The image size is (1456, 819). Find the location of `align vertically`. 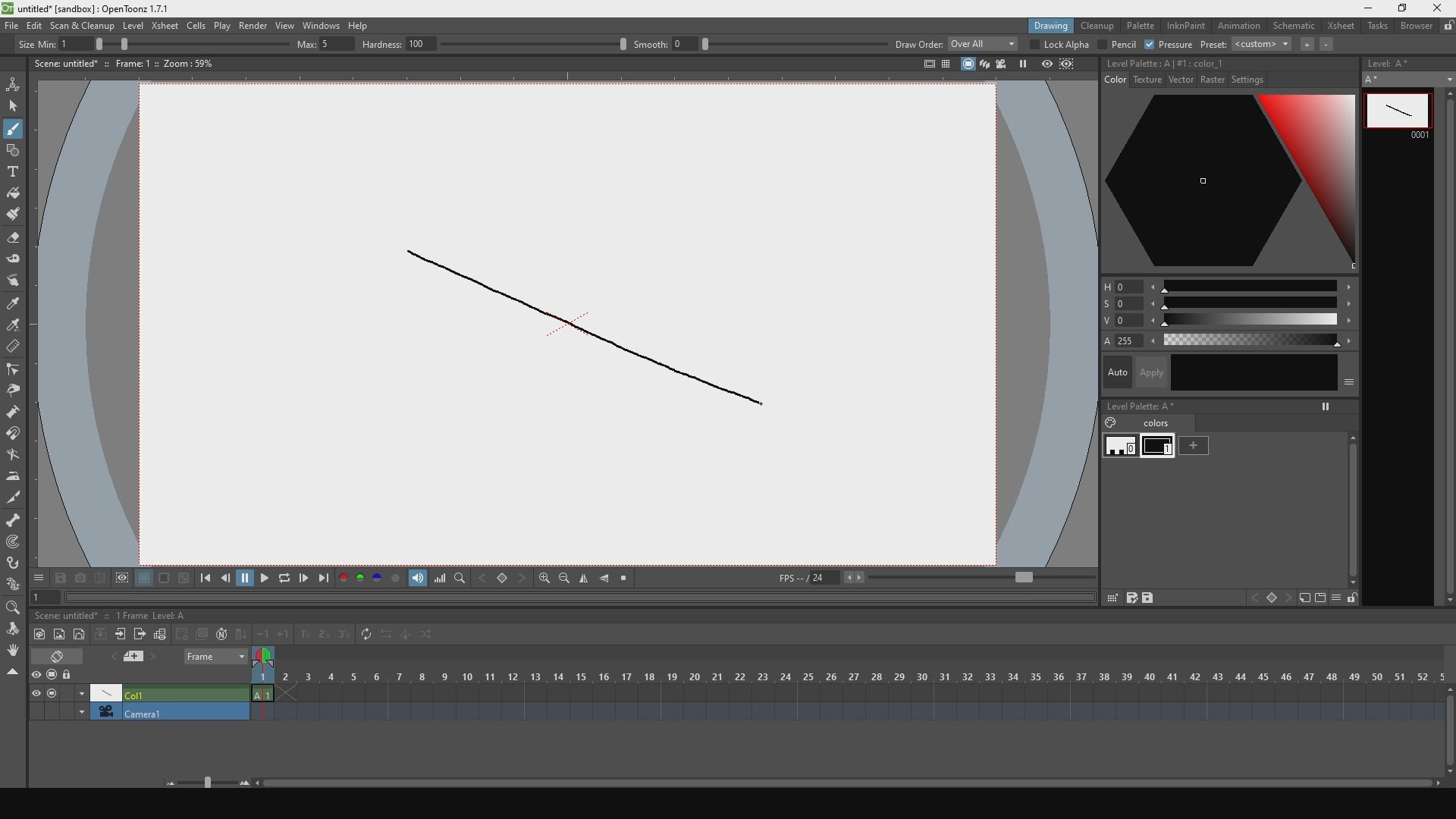

align vertically is located at coordinates (586, 578).